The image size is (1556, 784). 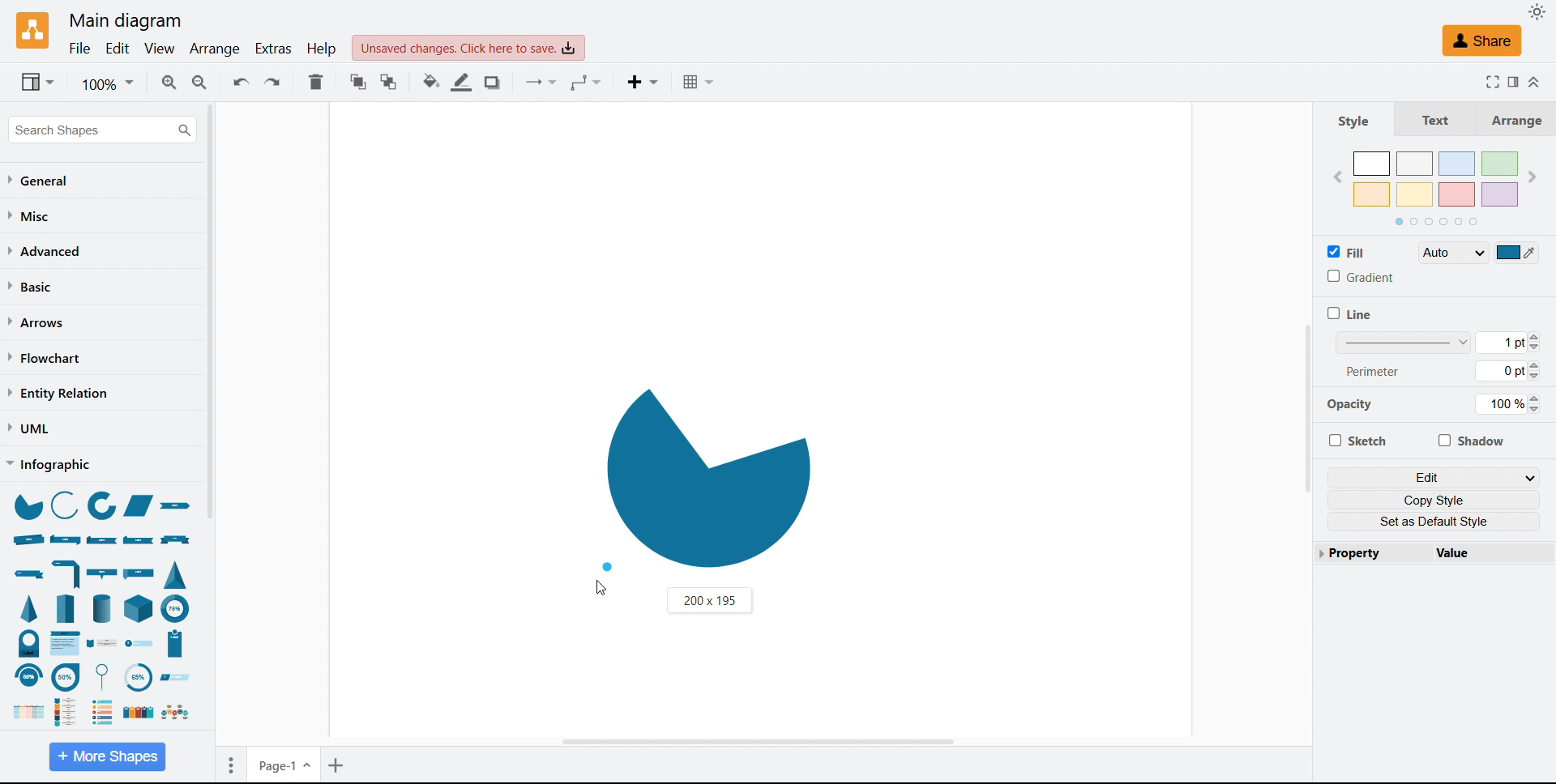 I want to click on Unsaved change click to save , so click(x=468, y=48).